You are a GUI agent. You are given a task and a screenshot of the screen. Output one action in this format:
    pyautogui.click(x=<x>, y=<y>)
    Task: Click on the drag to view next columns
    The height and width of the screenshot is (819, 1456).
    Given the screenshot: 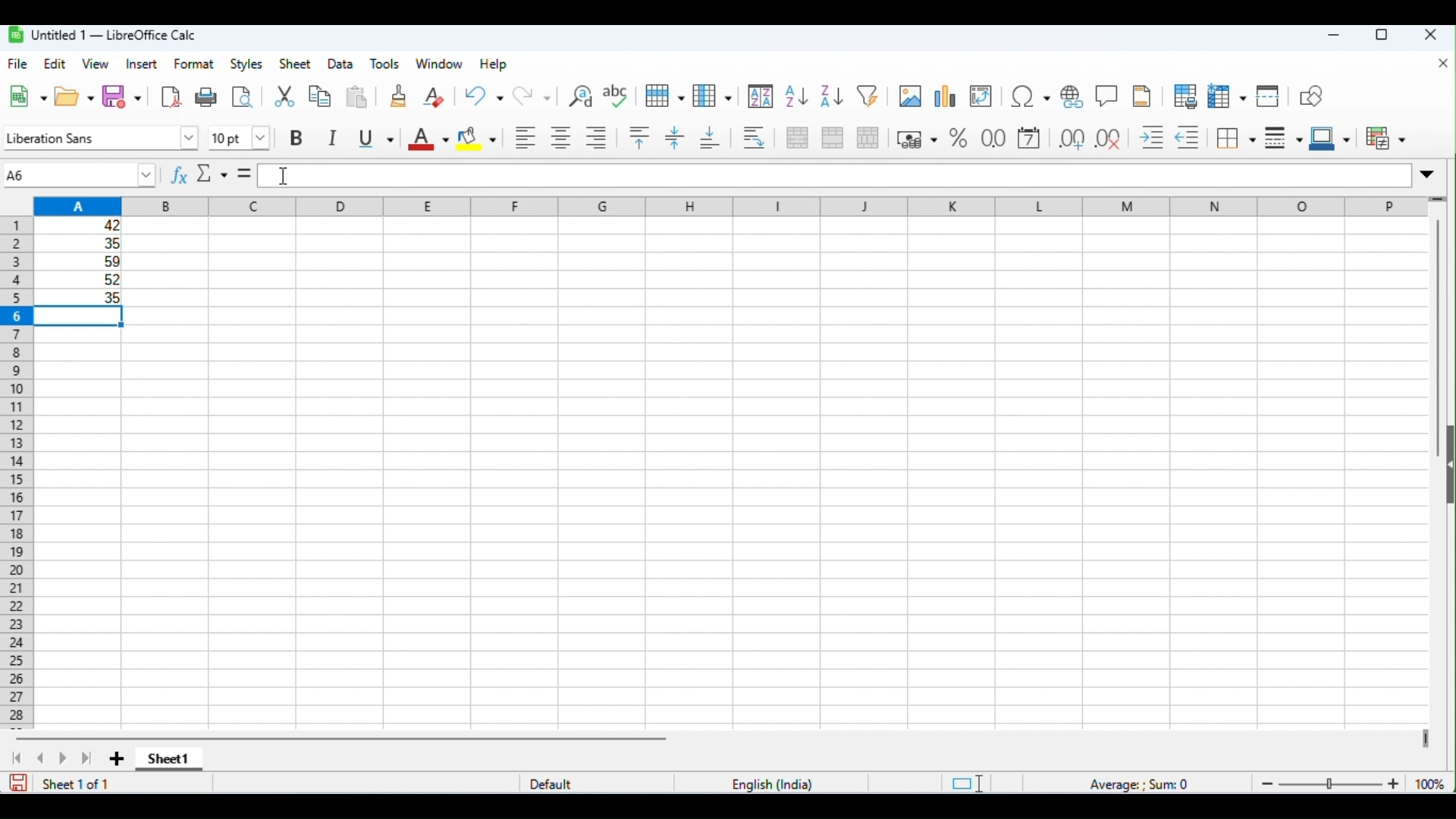 What is the action you would take?
    pyautogui.click(x=1423, y=739)
    